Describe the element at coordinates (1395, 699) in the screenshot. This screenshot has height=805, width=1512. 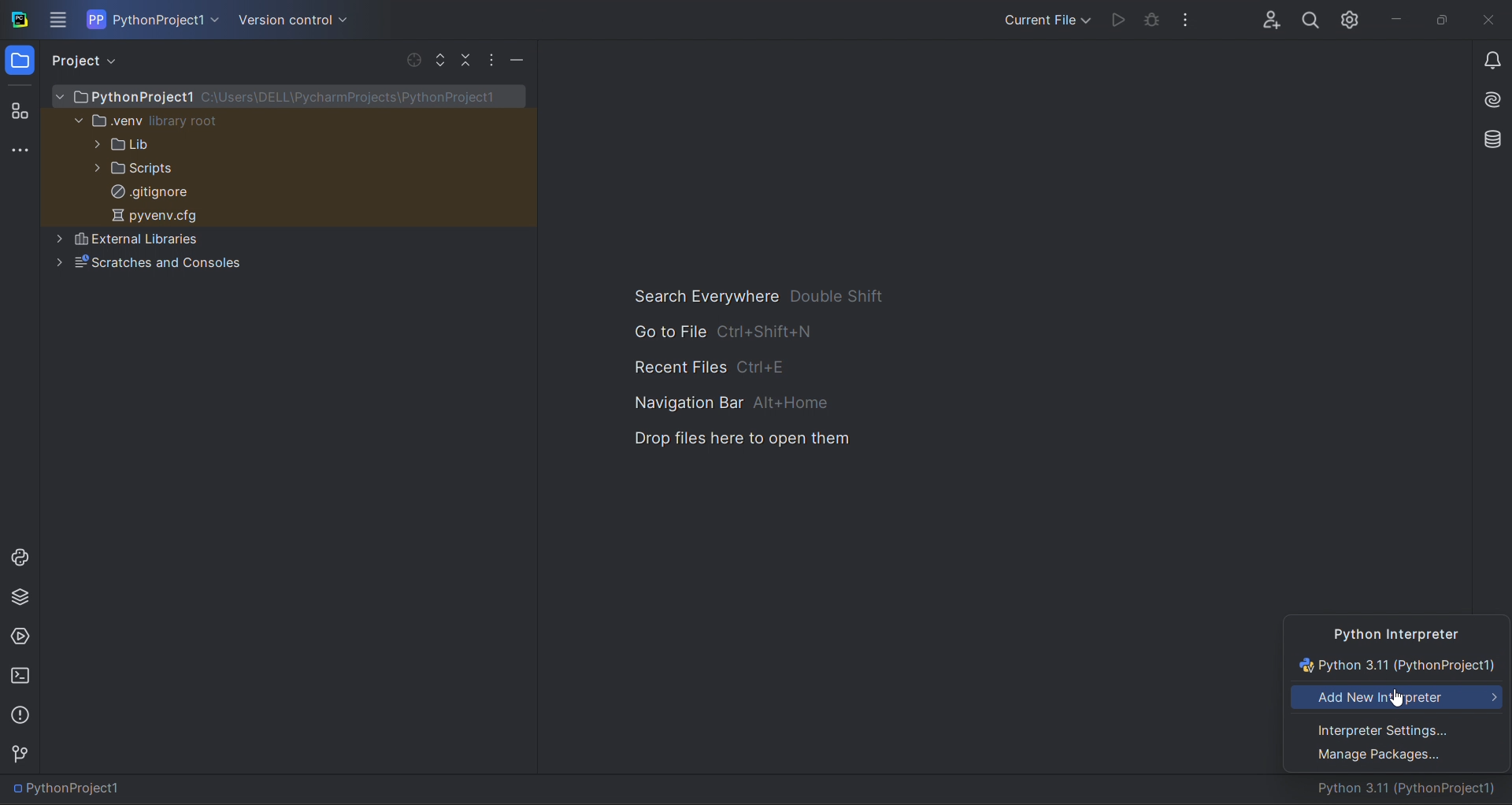
I see `cursor` at that location.